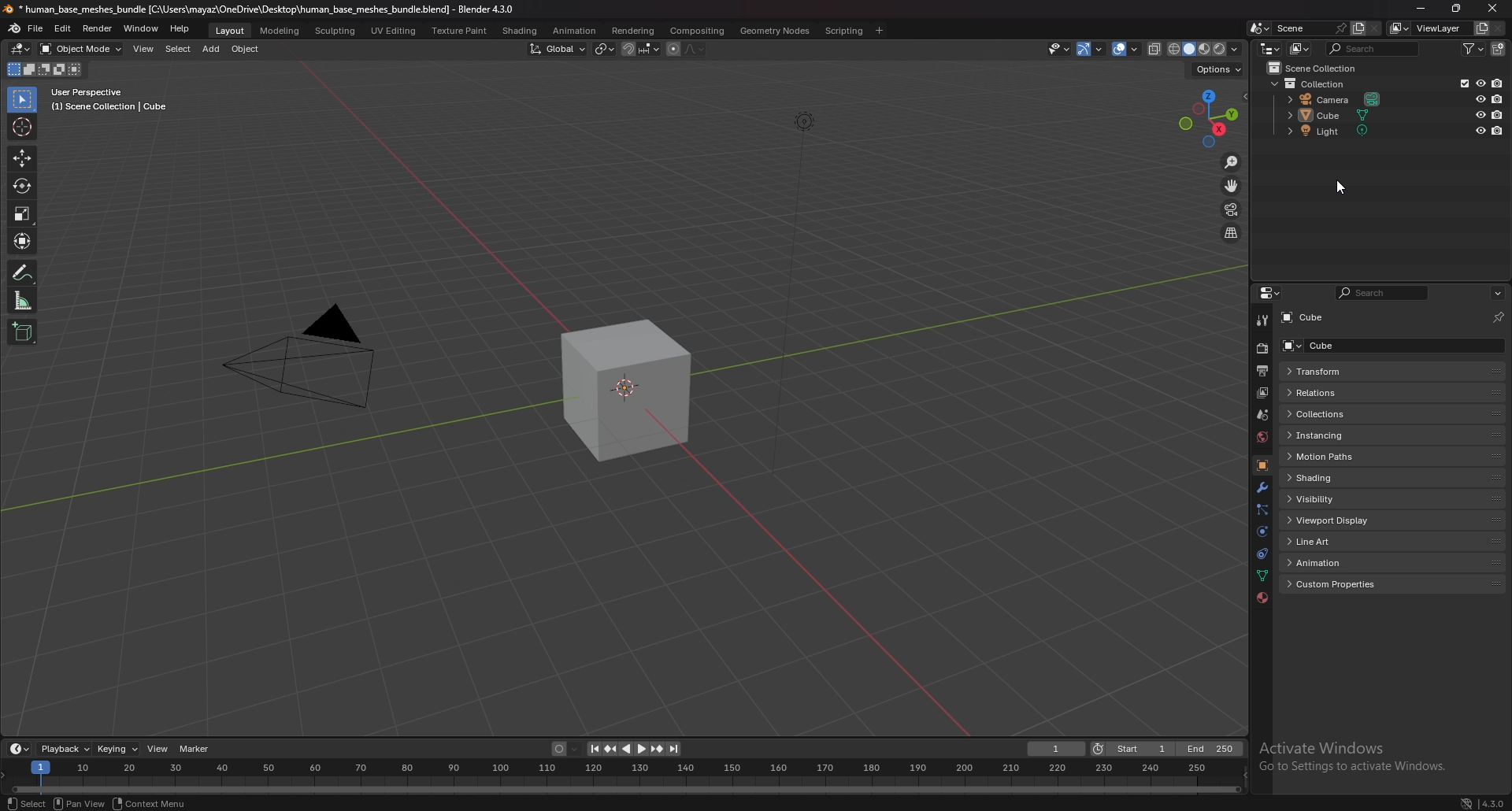 The height and width of the screenshot is (811, 1512). What do you see at coordinates (1263, 531) in the screenshot?
I see `physics` at bounding box center [1263, 531].